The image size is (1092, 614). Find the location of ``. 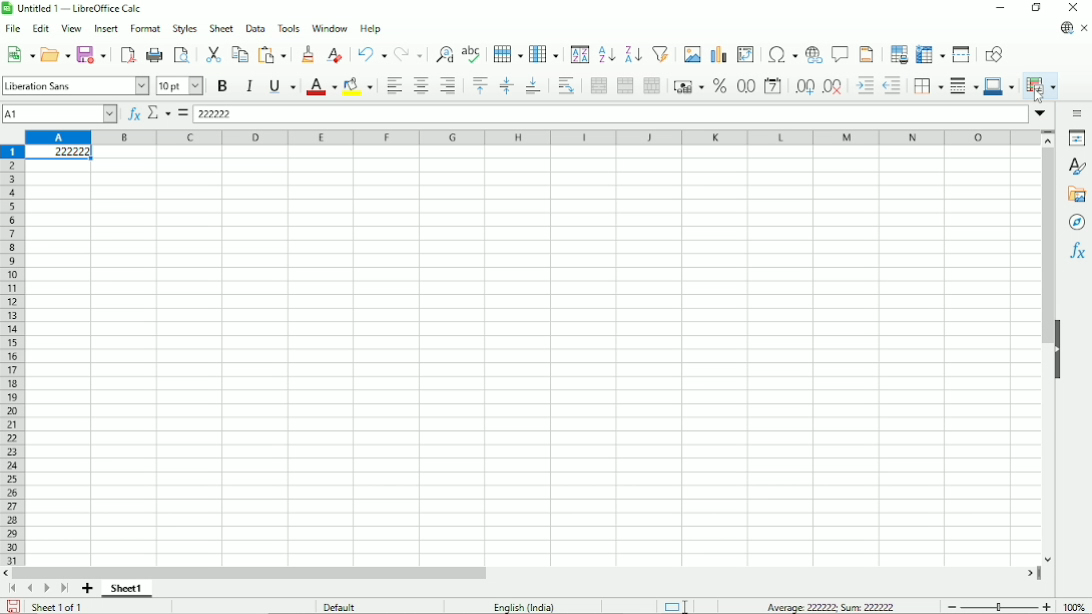

 is located at coordinates (1073, 8).